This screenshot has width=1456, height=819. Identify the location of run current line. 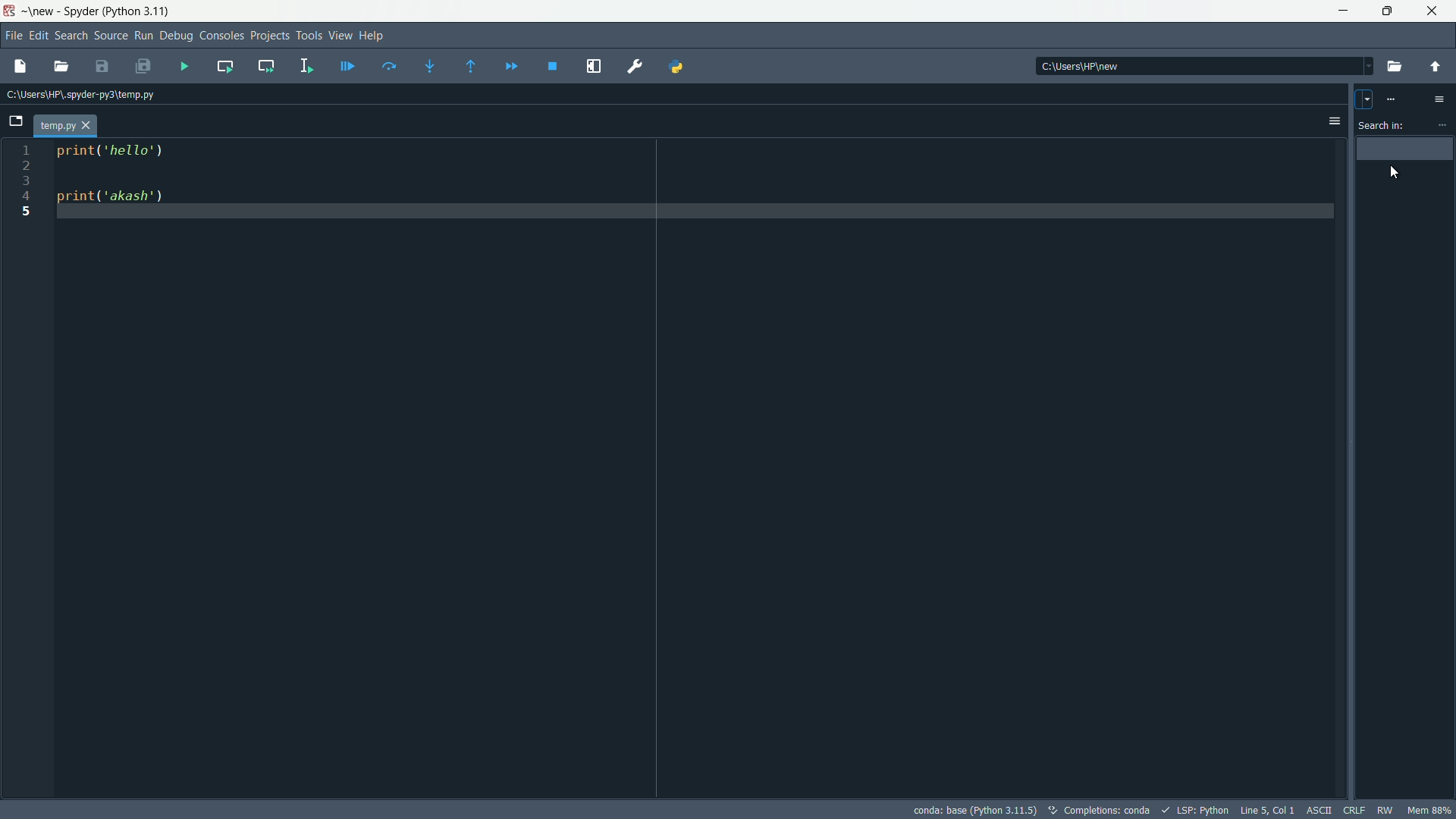
(390, 66).